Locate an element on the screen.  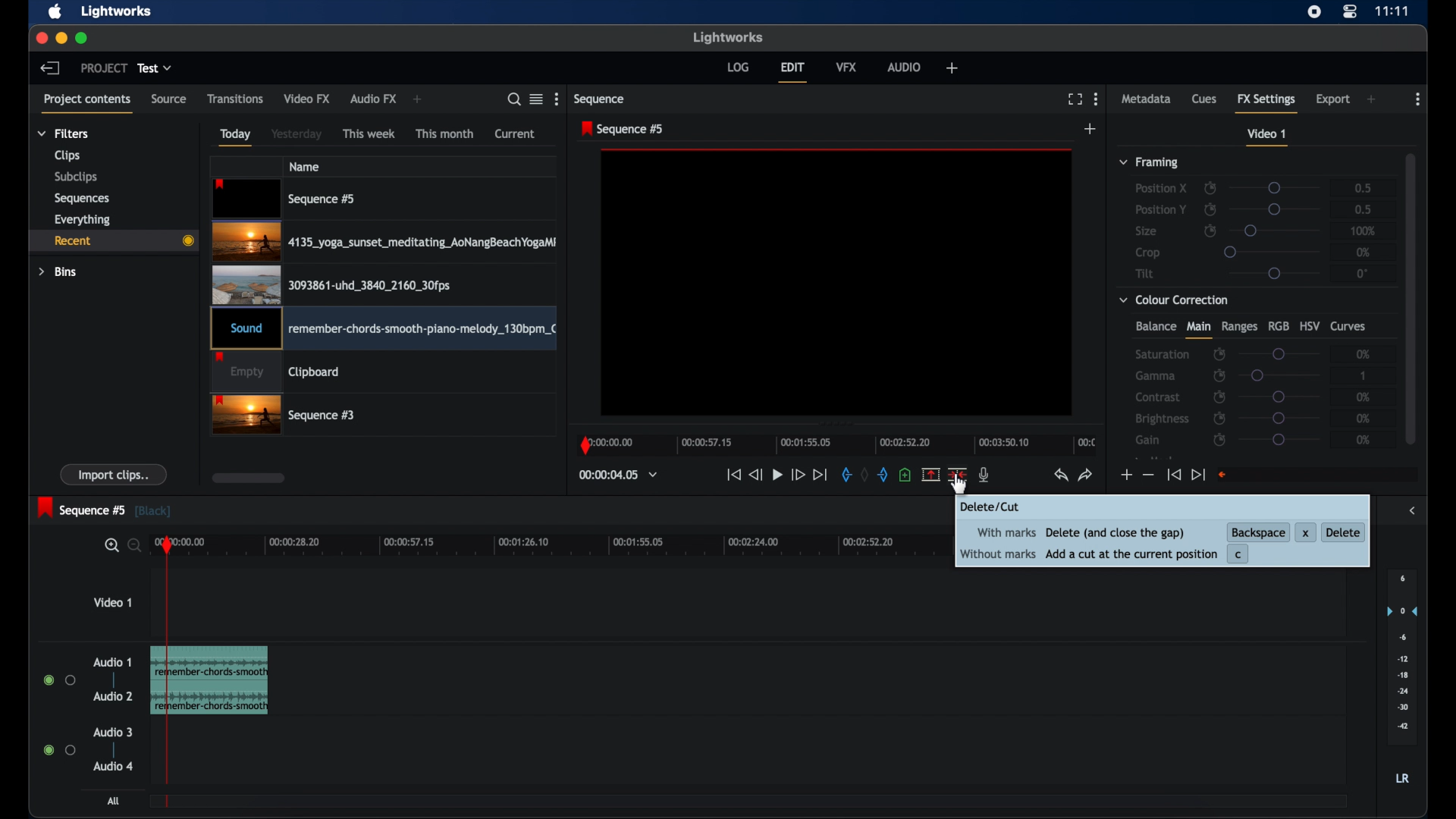
subclips is located at coordinates (77, 177).